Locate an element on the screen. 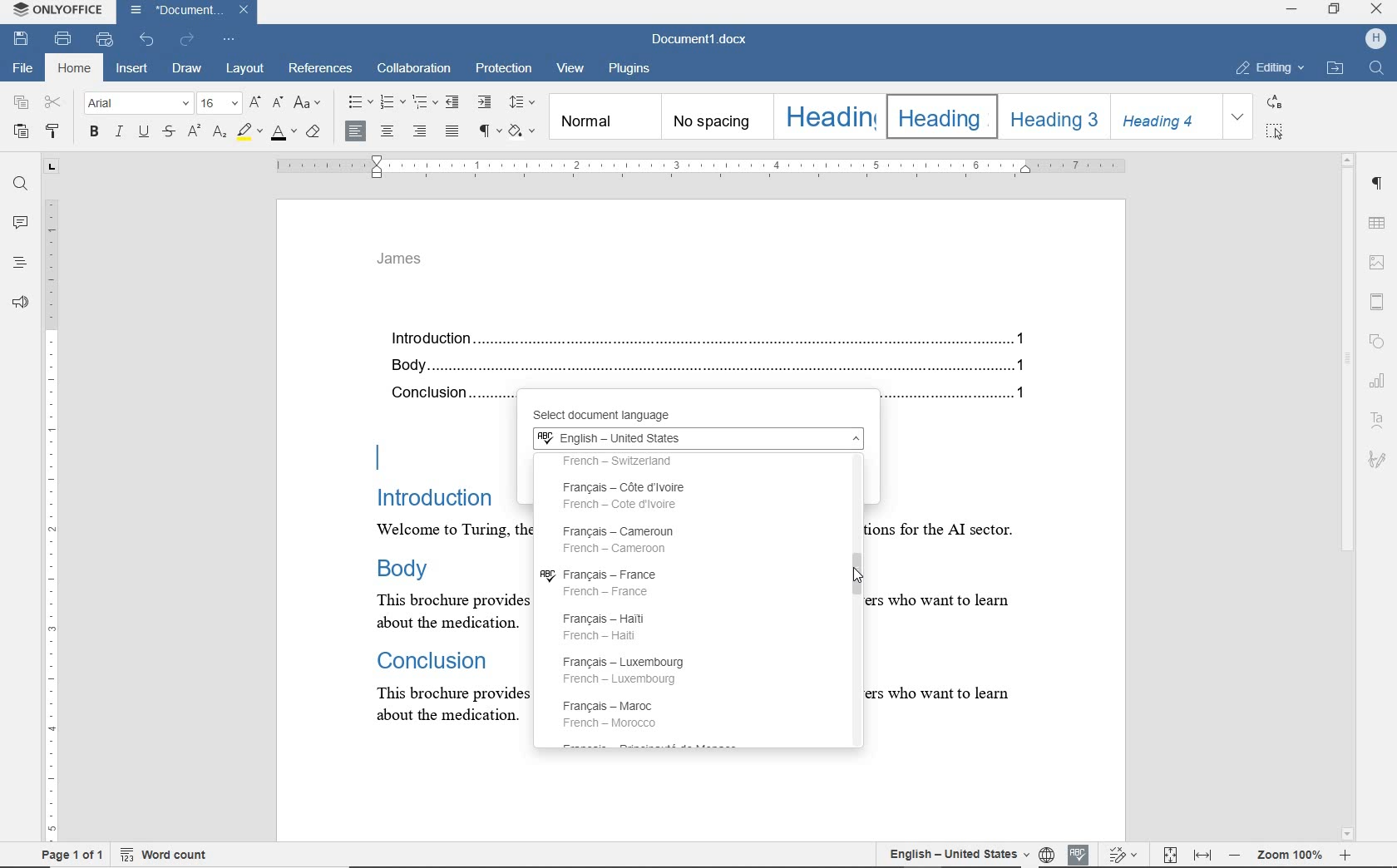 The width and height of the screenshot is (1397, 868). French - Switzerland is located at coordinates (649, 462).